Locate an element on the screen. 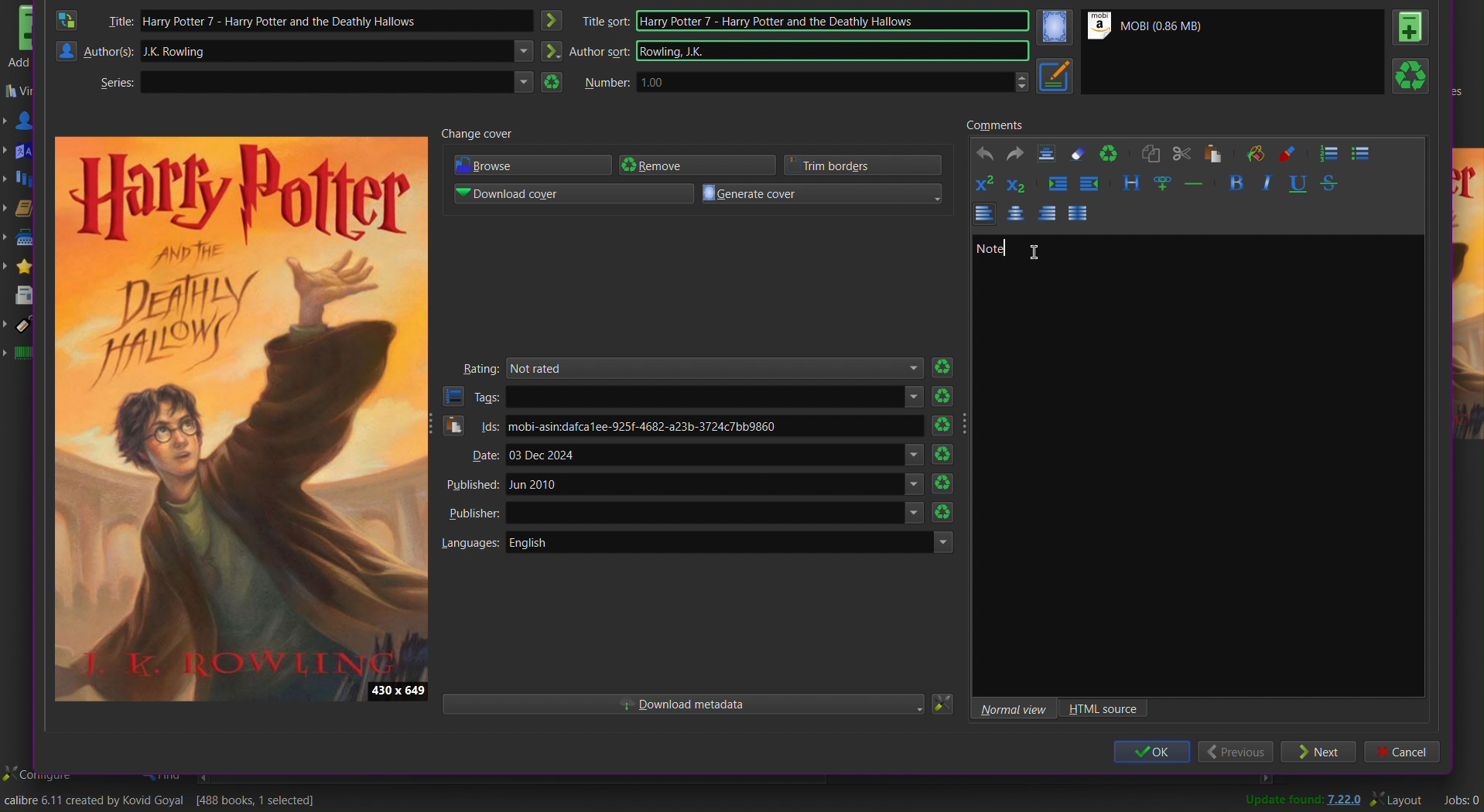  preview cover is located at coordinates (1467, 298).